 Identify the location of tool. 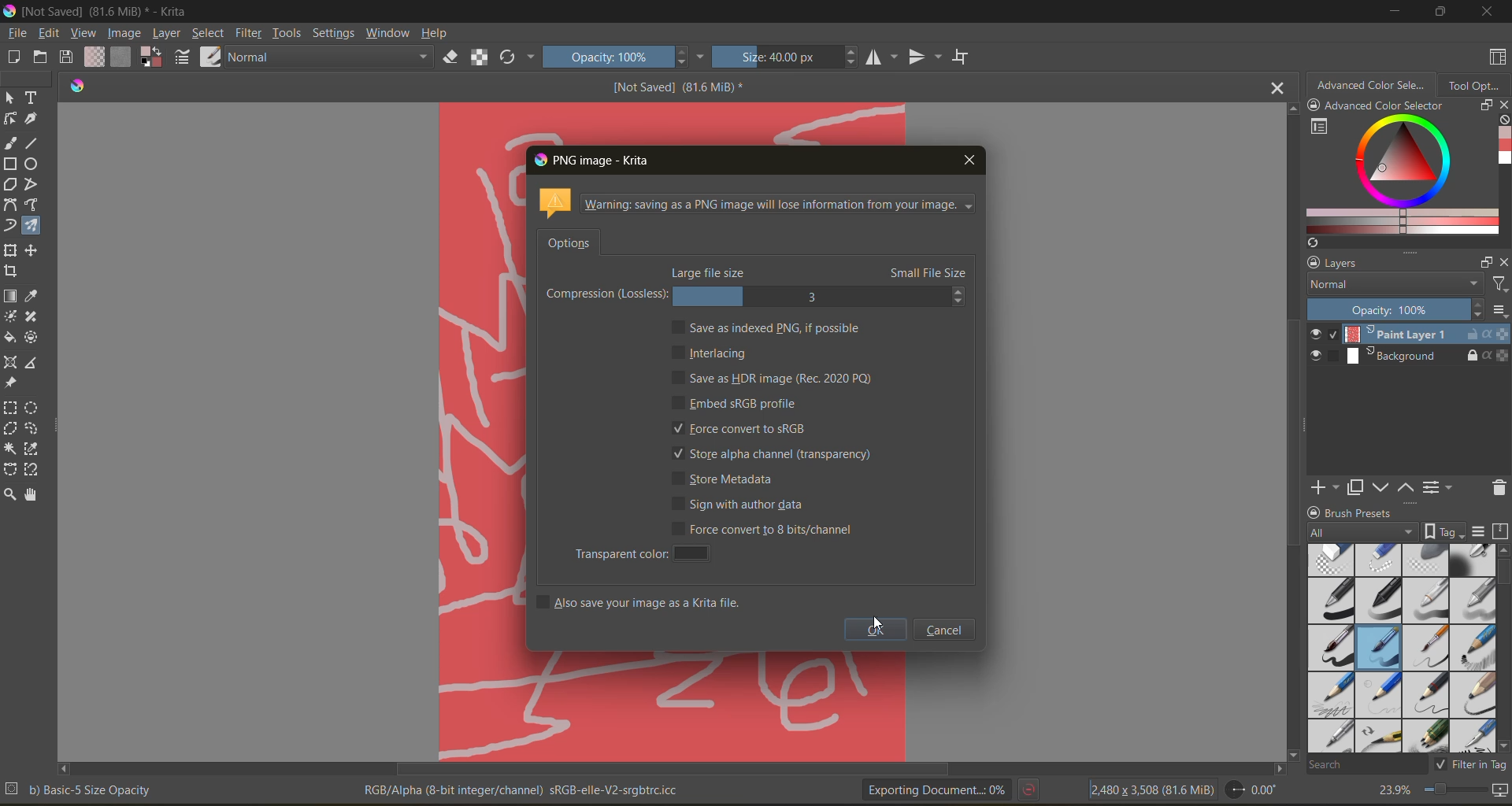
(32, 296).